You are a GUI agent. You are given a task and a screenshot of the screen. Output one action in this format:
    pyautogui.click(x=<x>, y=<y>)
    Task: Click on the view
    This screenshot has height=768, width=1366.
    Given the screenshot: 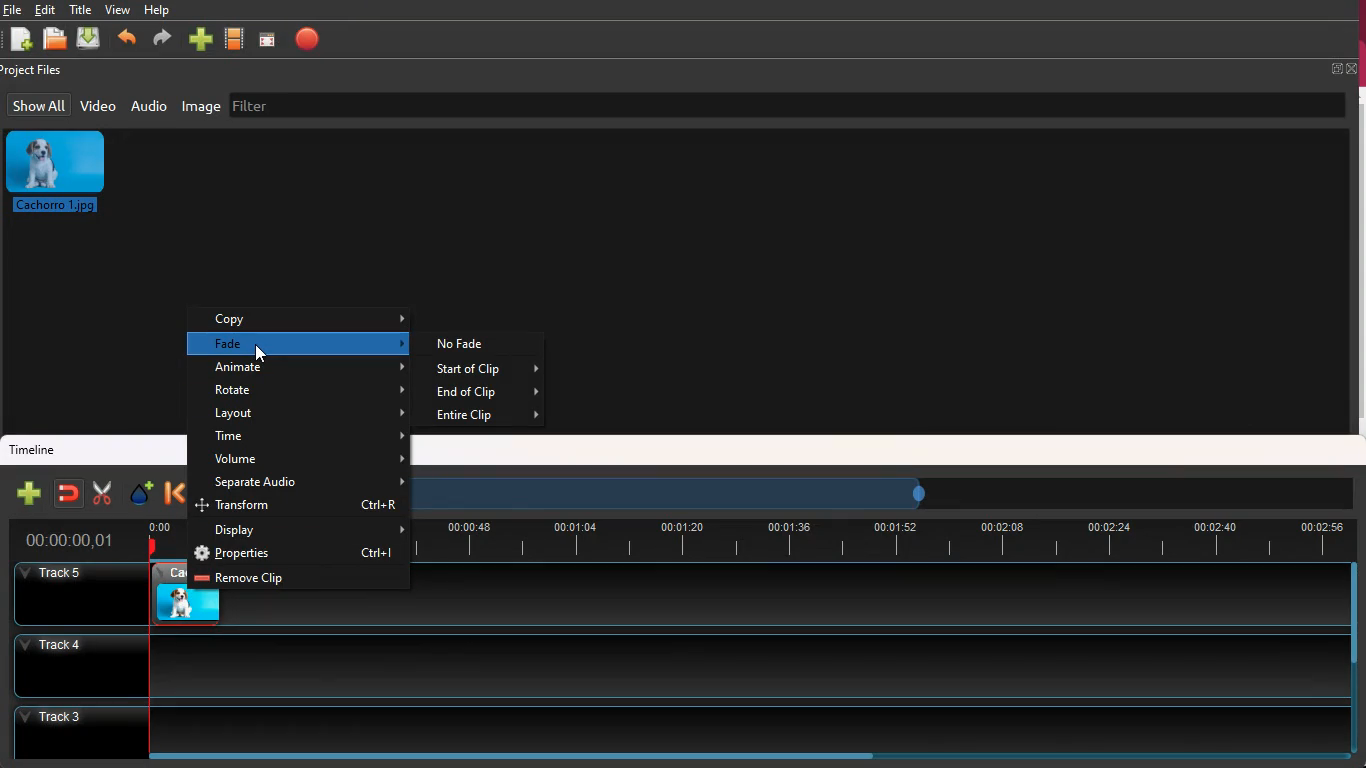 What is the action you would take?
    pyautogui.click(x=120, y=10)
    